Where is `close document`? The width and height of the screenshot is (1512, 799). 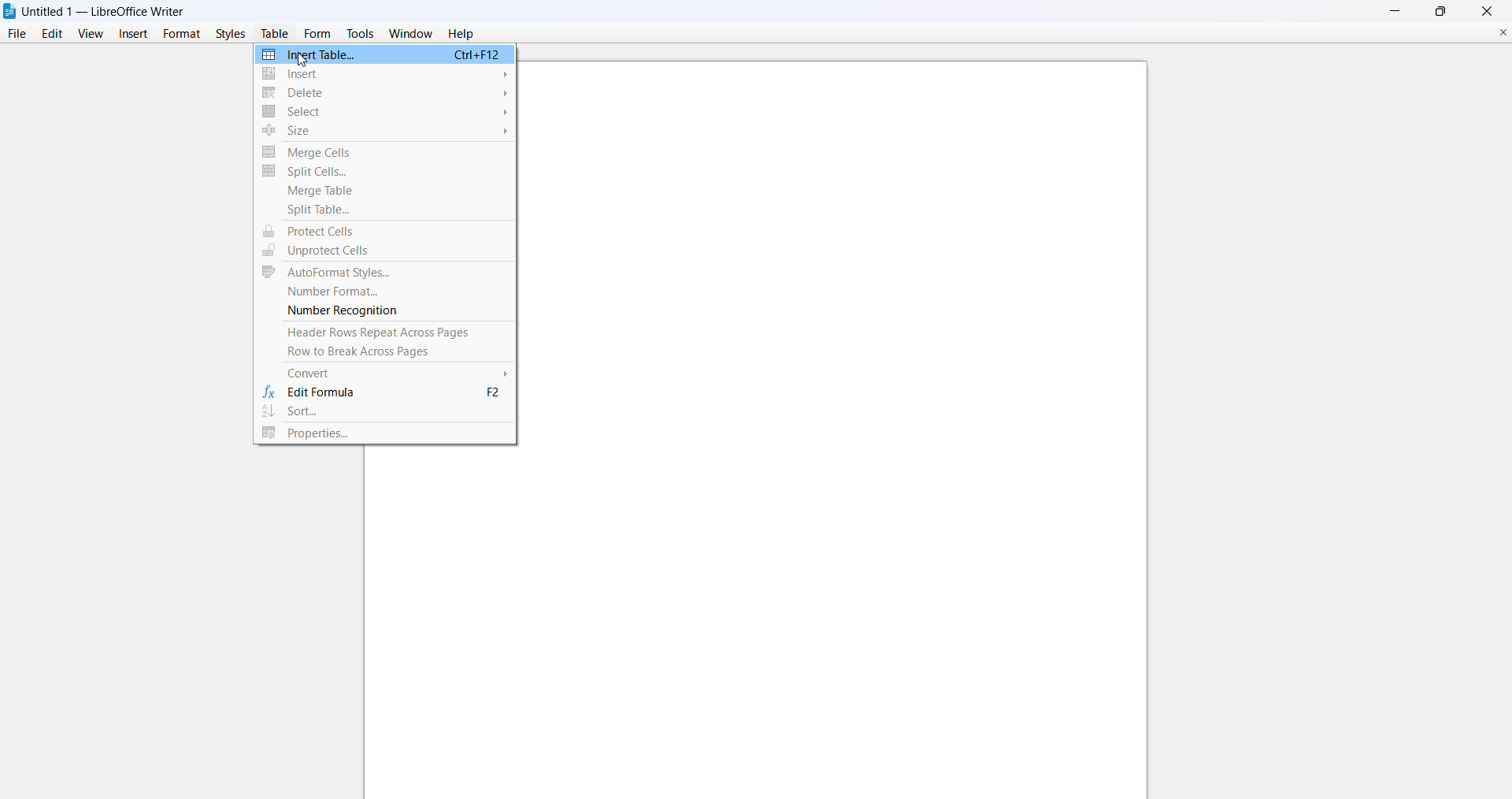
close document is located at coordinates (1496, 31).